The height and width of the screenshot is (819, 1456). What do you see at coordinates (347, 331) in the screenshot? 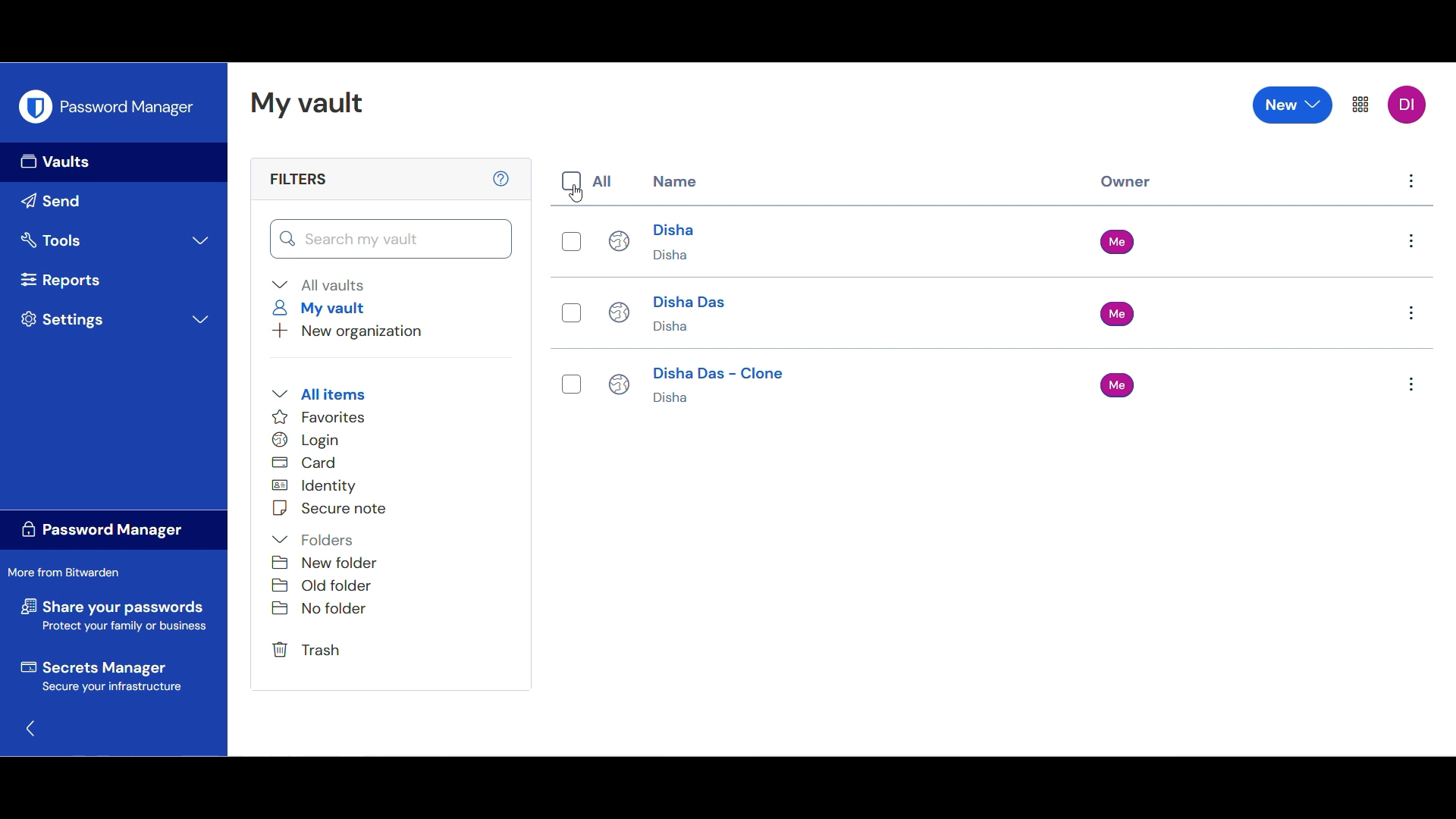
I see `New organization` at bounding box center [347, 331].